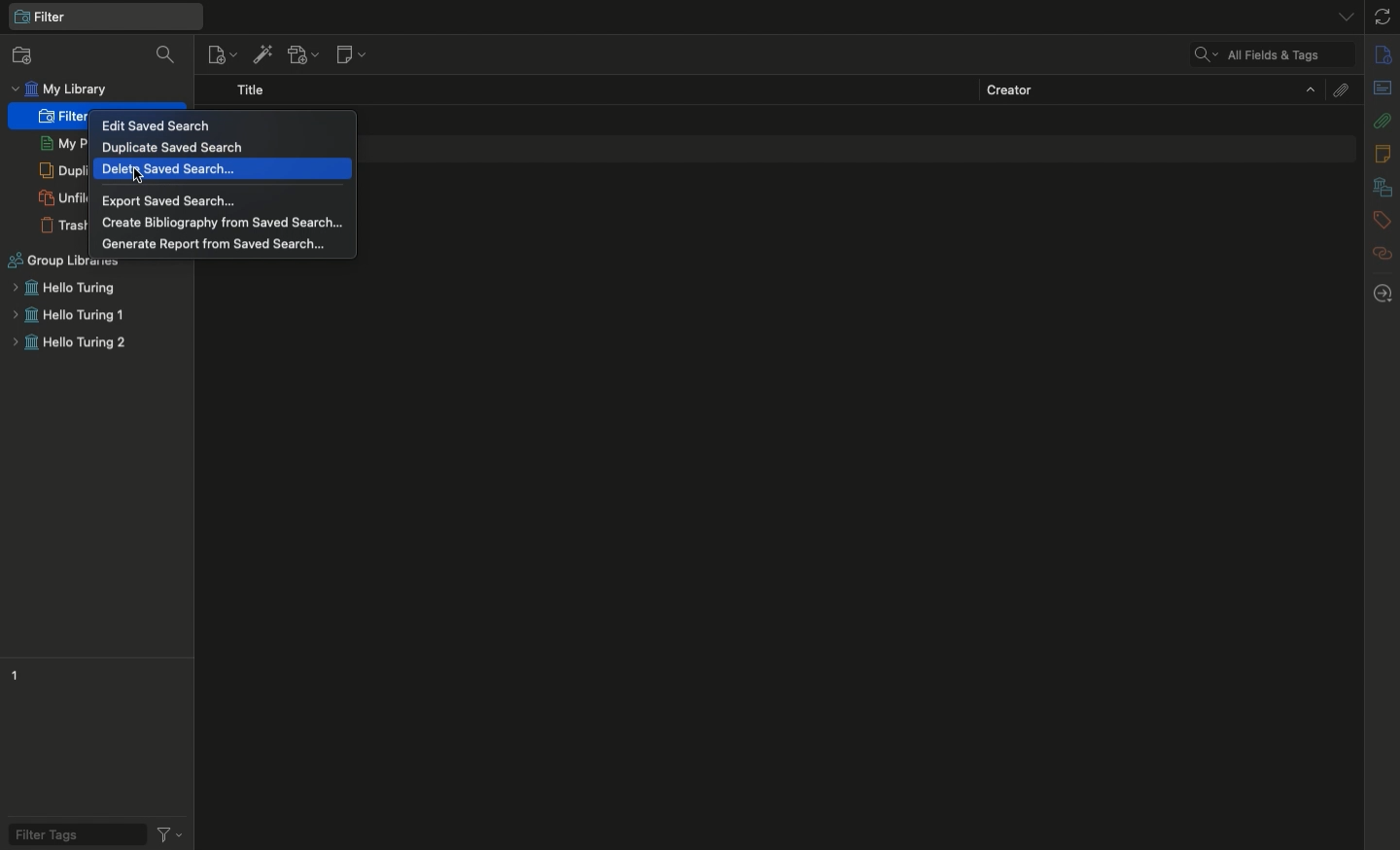 The image size is (1400, 850). Describe the element at coordinates (69, 345) in the screenshot. I see `Hello turing 2` at that location.